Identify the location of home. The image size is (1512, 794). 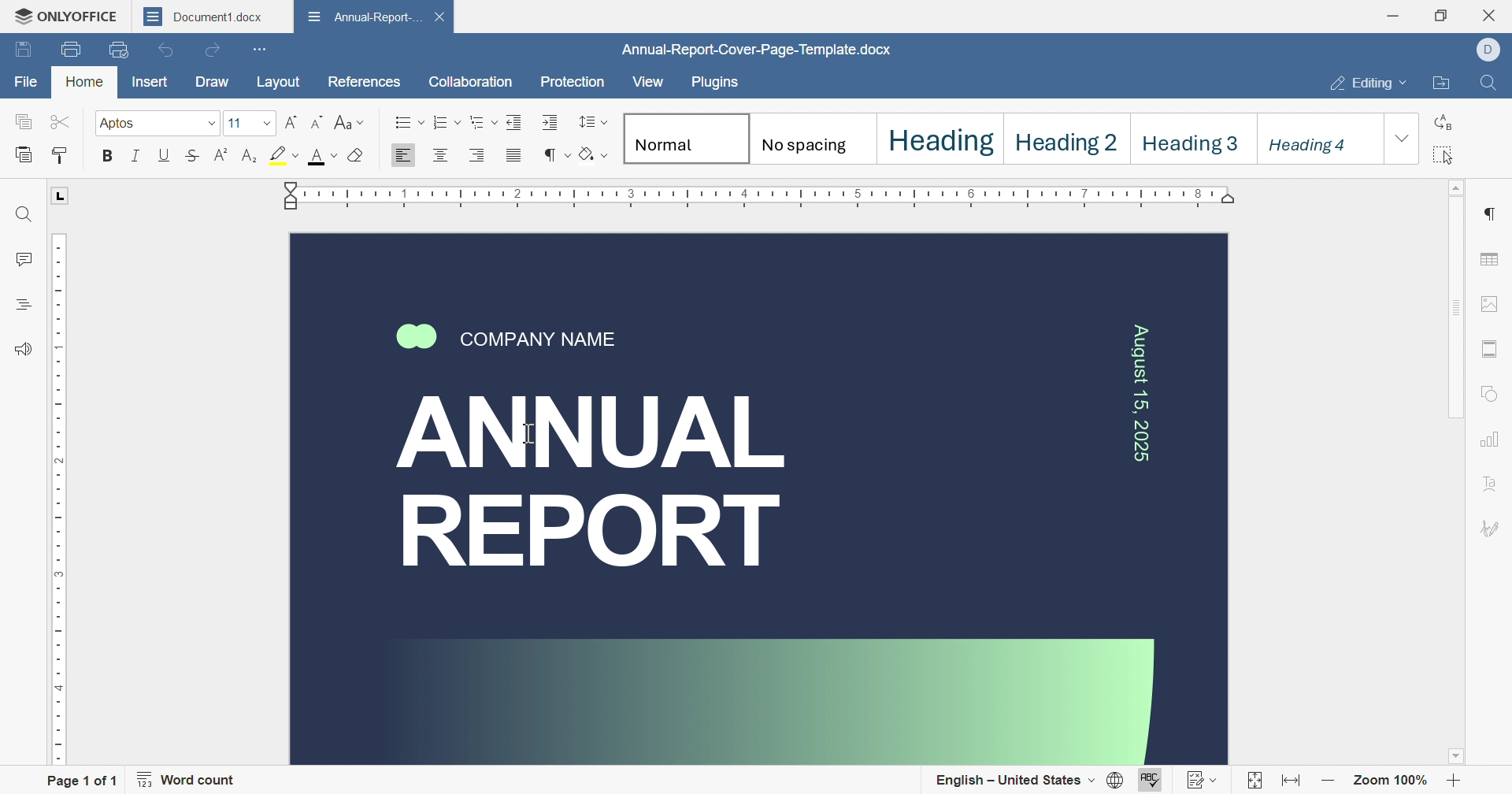
(83, 83).